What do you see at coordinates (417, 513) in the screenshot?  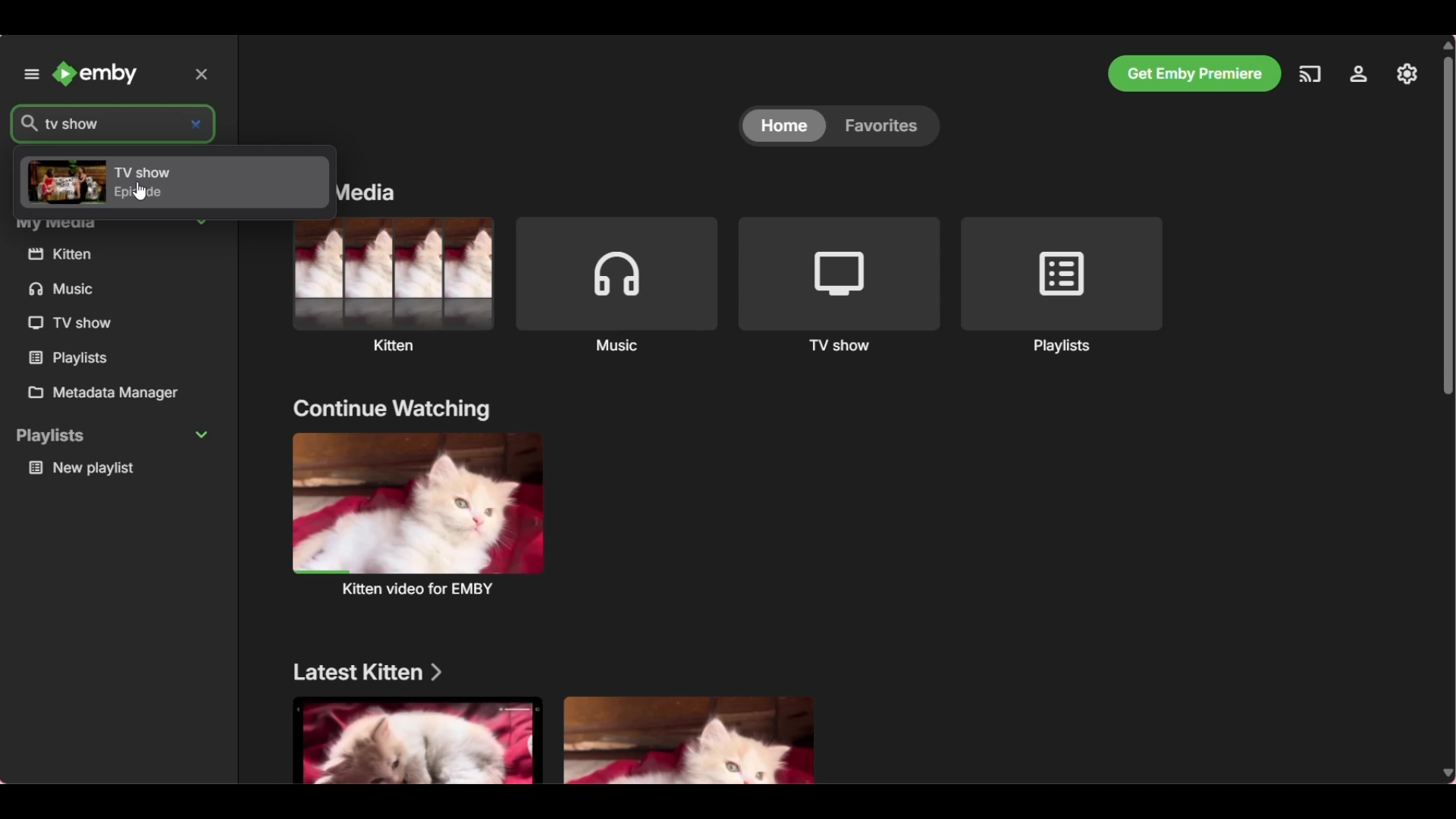 I see `kitten video for EMBY` at bounding box center [417, 513].